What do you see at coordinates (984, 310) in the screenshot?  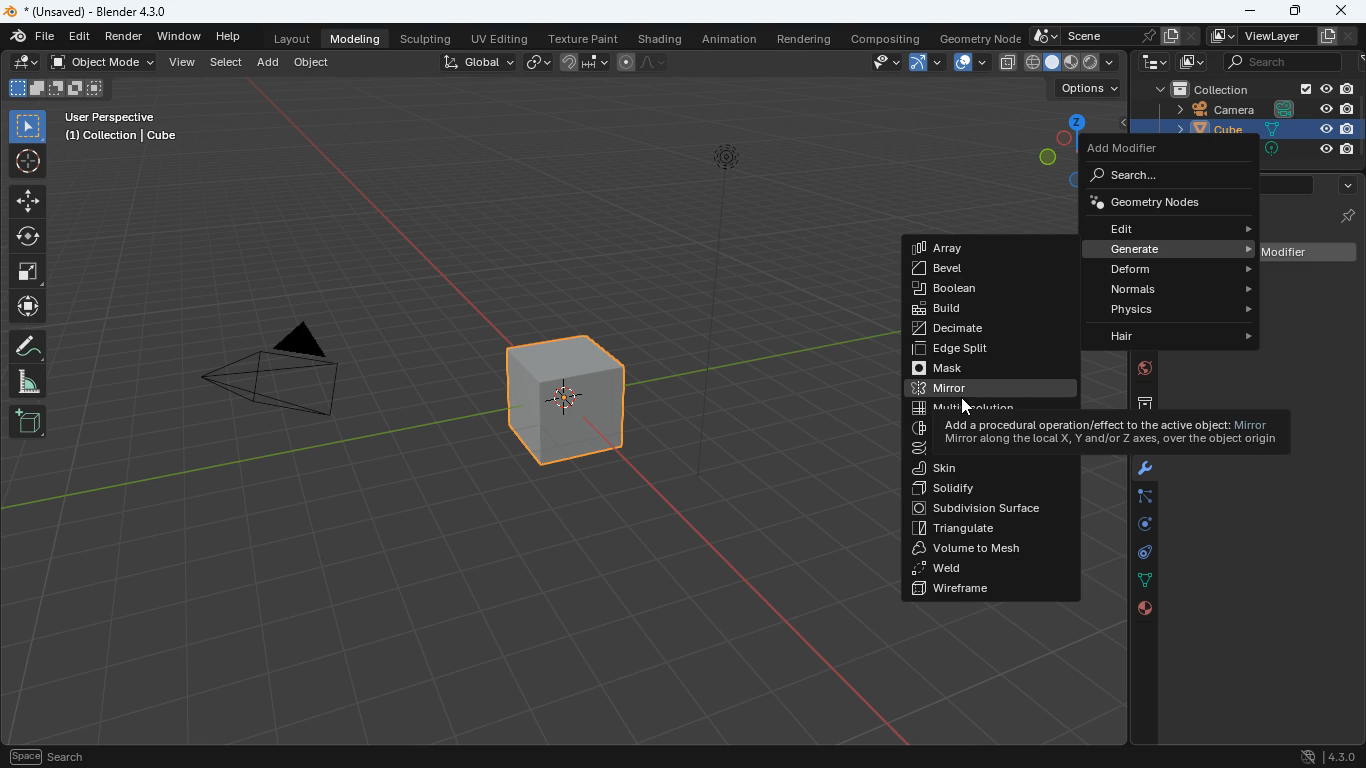 I see `build` at bounding box center [984, 310].